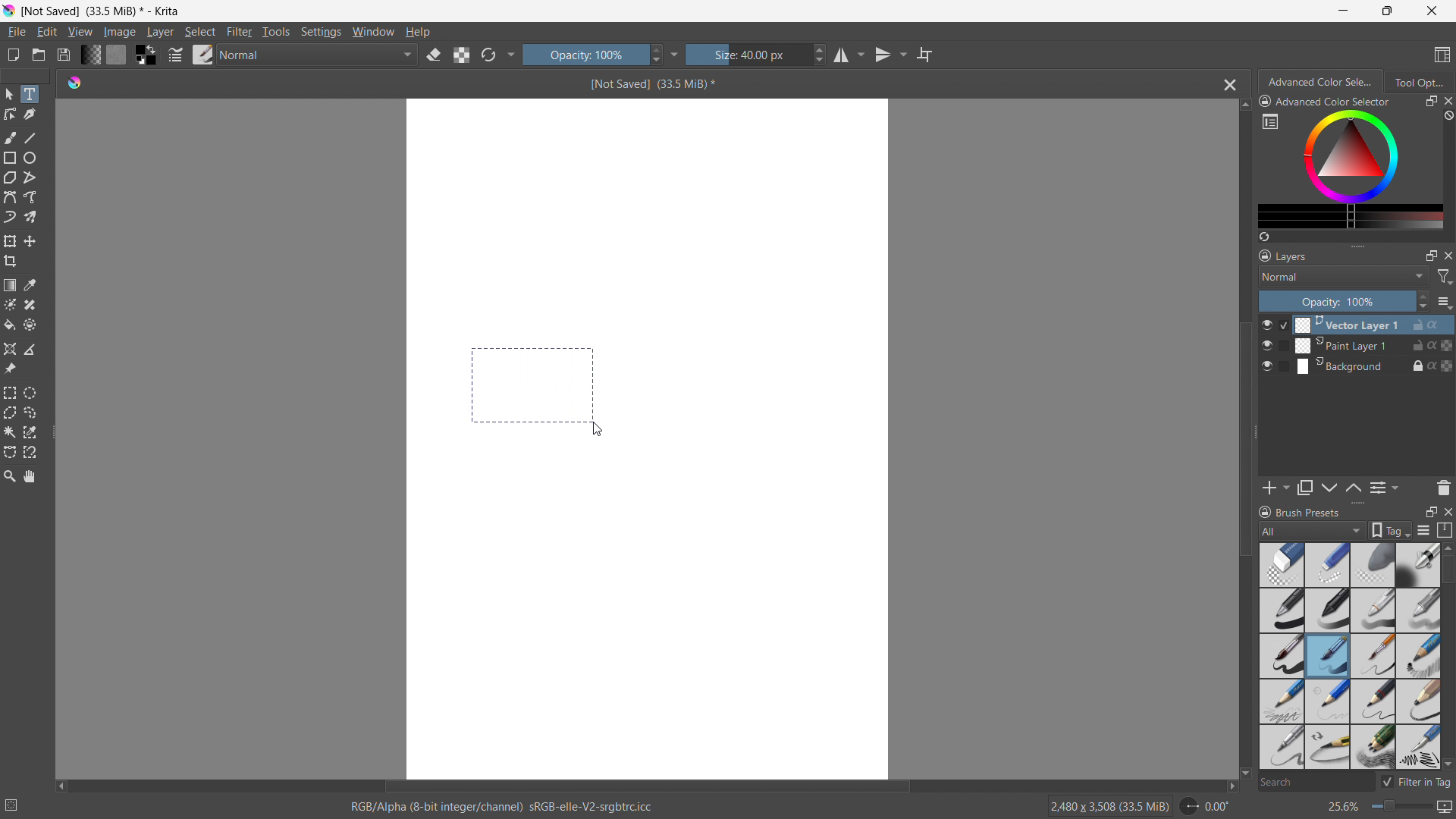  Describe the element at coordinates (1447, 510) in the screenshot. I see `close` at that location.